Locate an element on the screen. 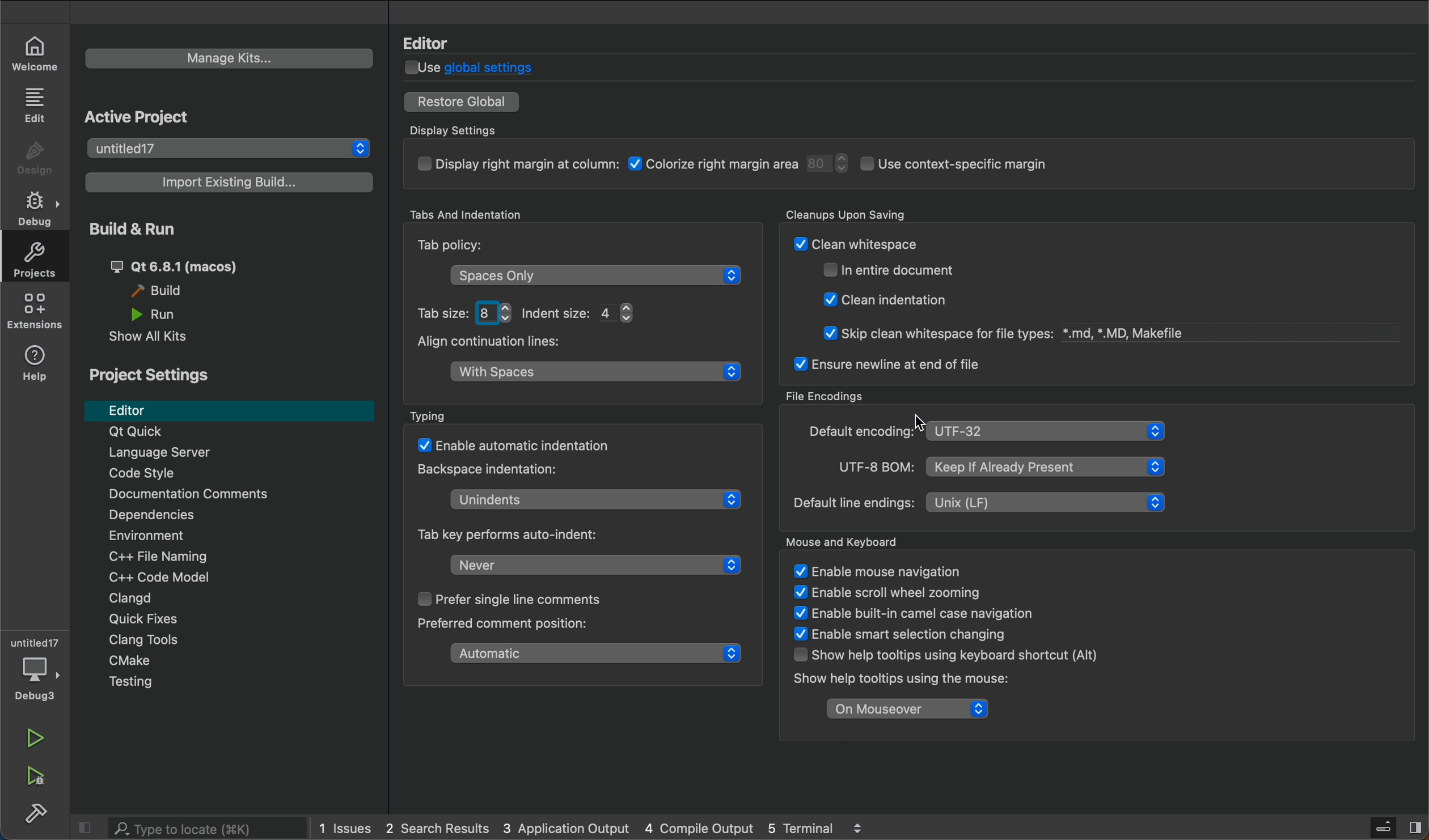 Image resolution: width=1429 pixels, height=840 pixels. Mouse ad Keyboard is located at coordinates (854, 540).